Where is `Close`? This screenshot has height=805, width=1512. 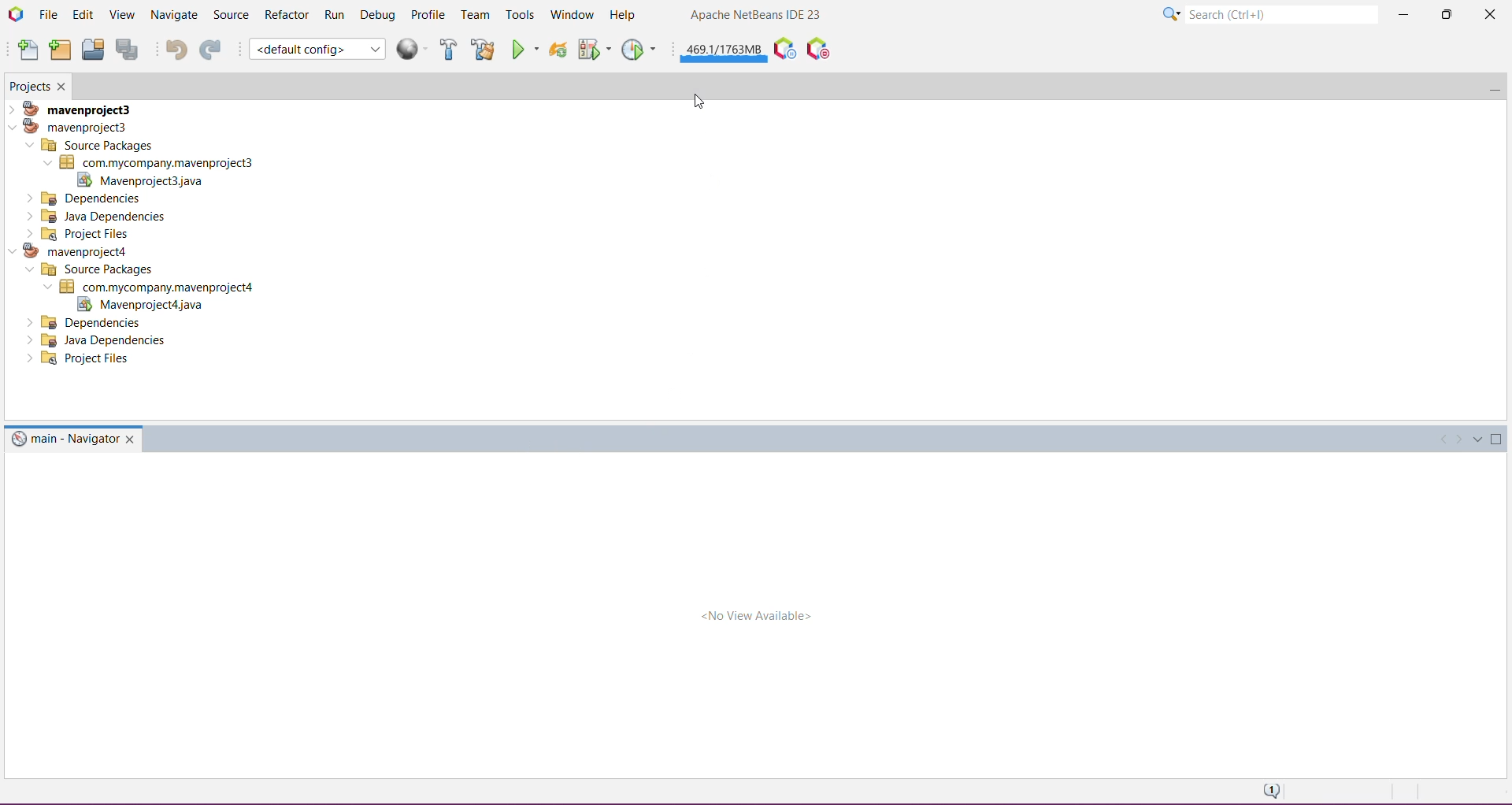
Close is located at coordinates (1488, 17).